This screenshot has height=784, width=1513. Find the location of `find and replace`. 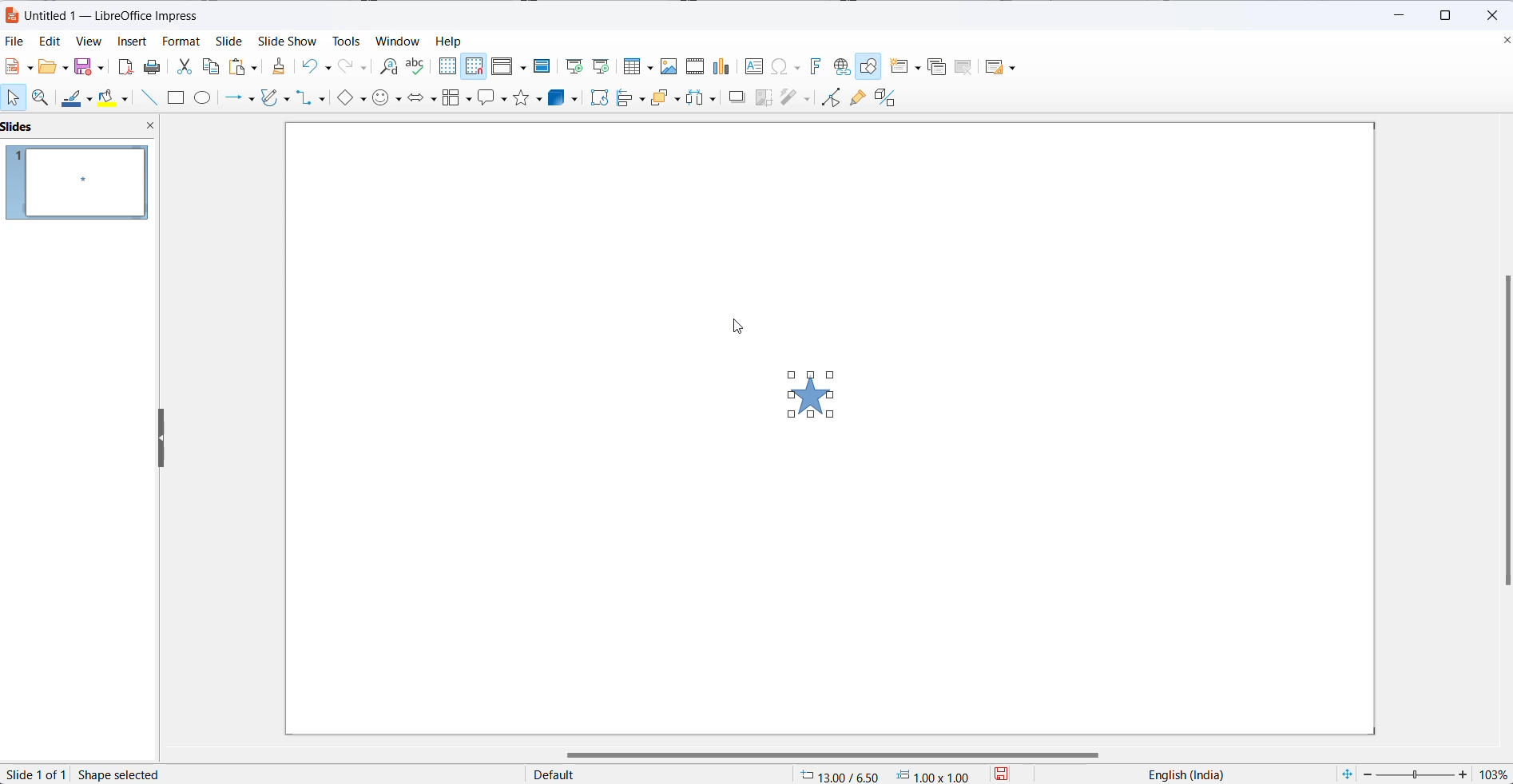

find and replace is located at coordinates (387, 68).